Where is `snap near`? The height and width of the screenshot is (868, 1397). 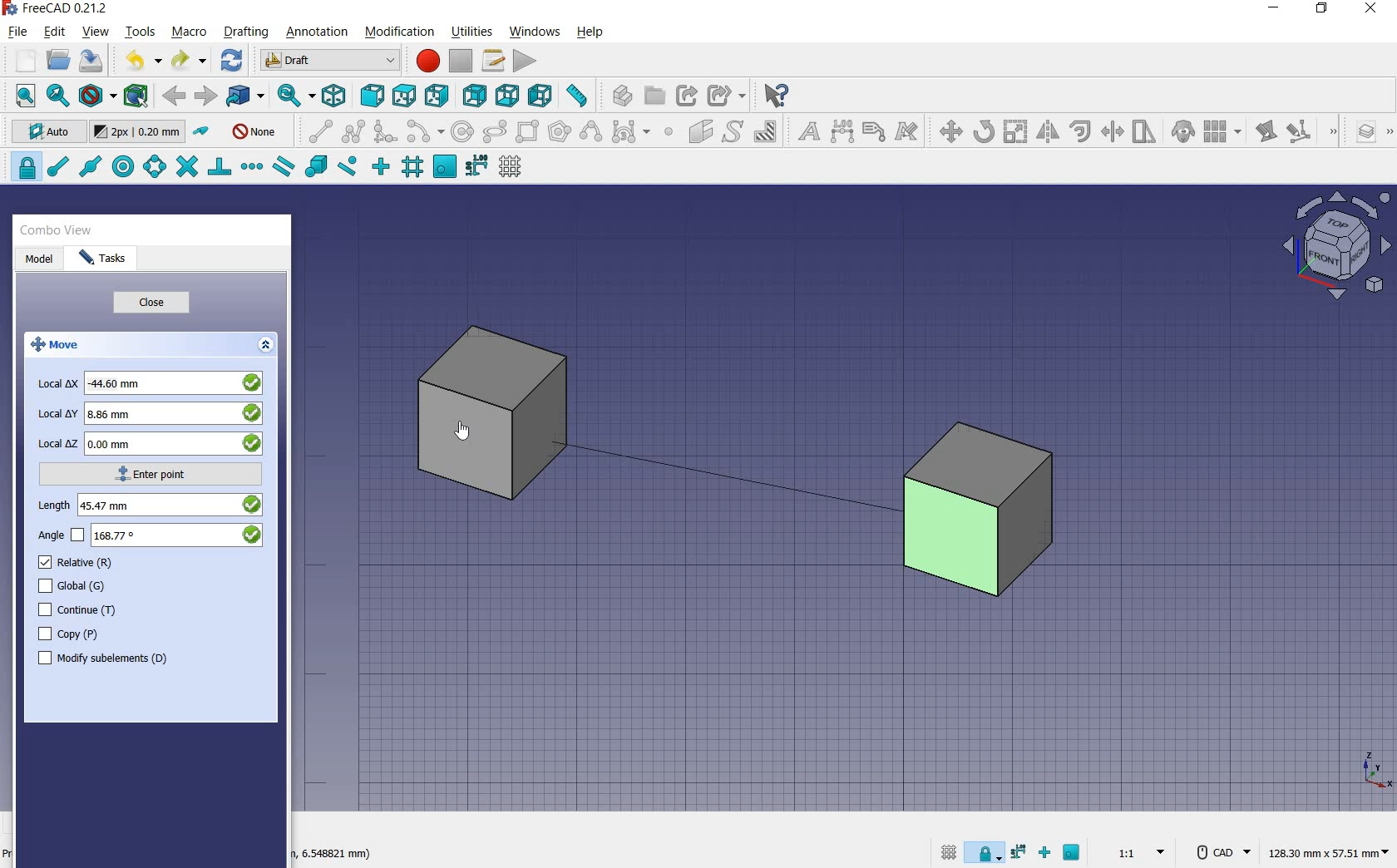
snap near is located at coordinates (348, 166).